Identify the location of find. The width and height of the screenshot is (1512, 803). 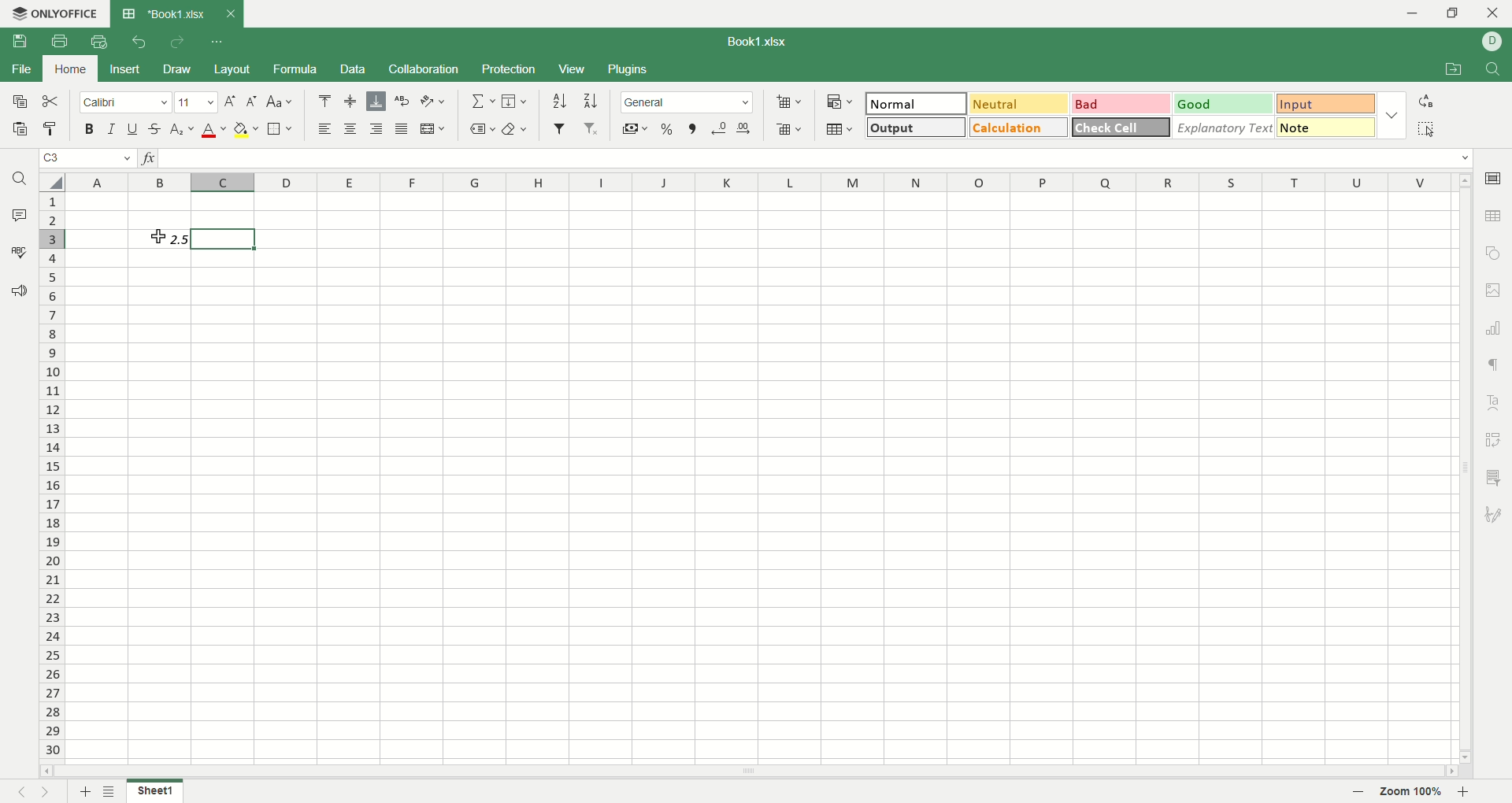
(18, 178).